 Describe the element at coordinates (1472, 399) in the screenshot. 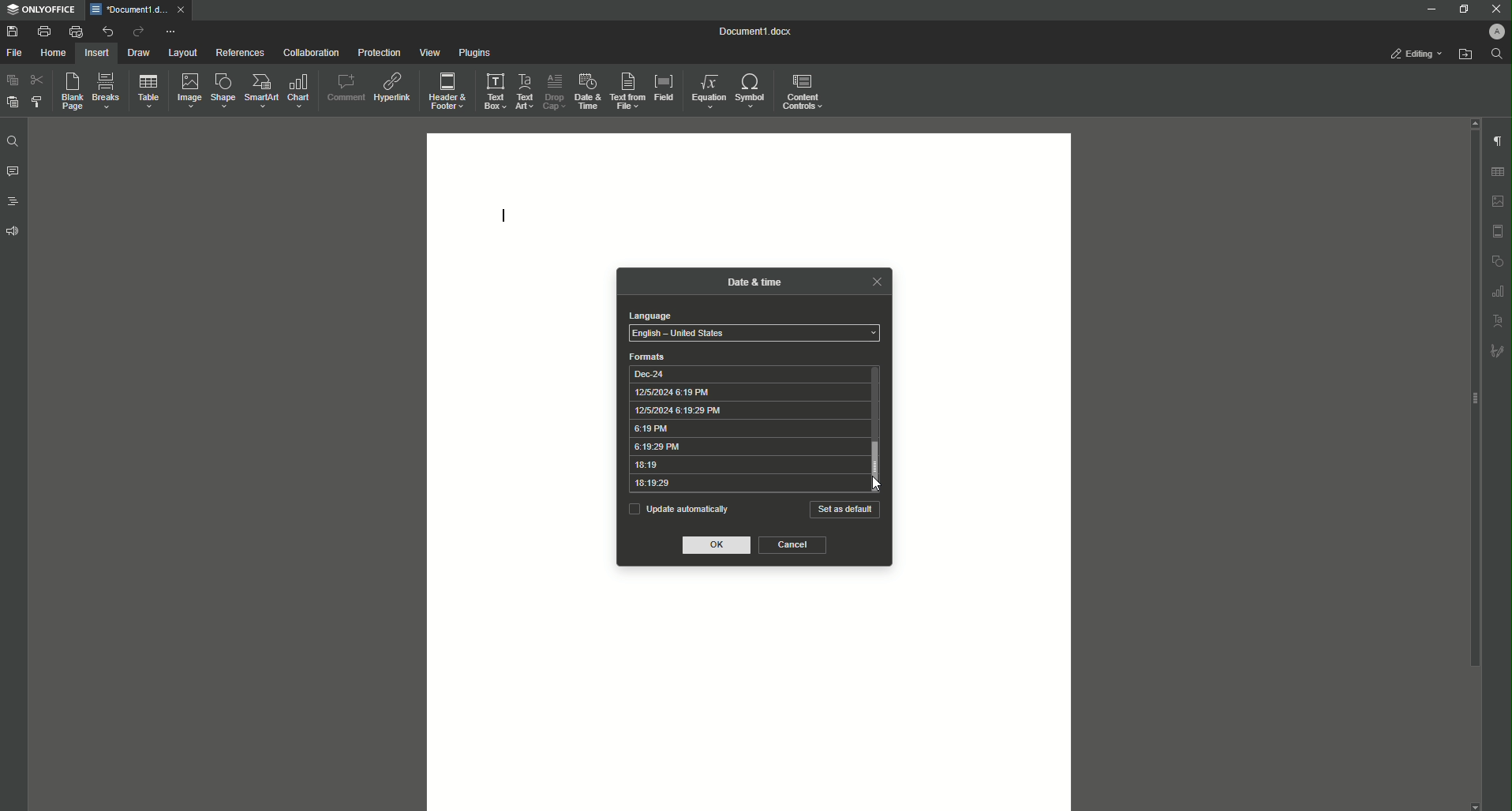

I see `scroll bar` at that location.